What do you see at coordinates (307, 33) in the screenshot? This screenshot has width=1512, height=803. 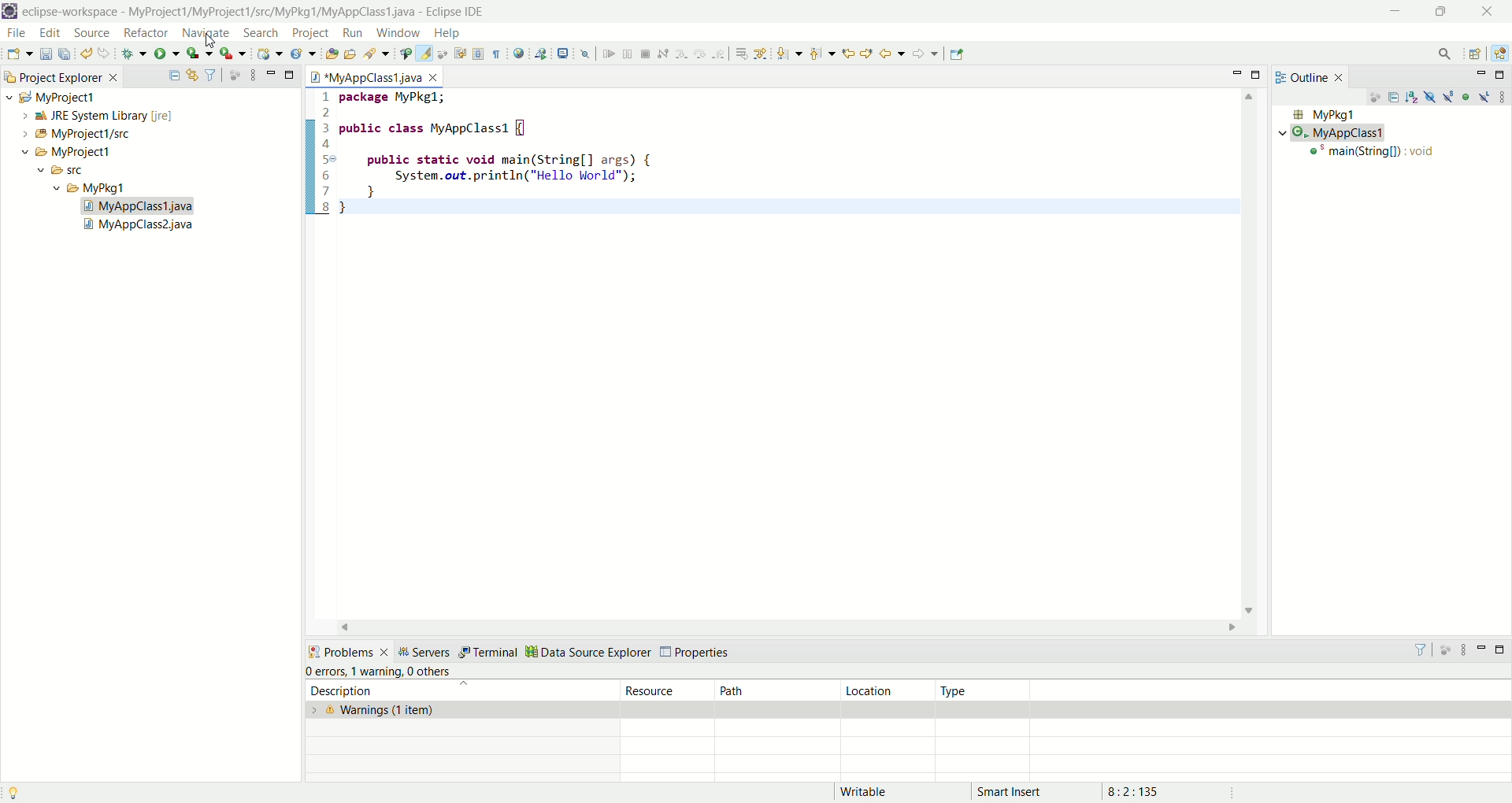 I see `project` at bounding box center [307, 33].